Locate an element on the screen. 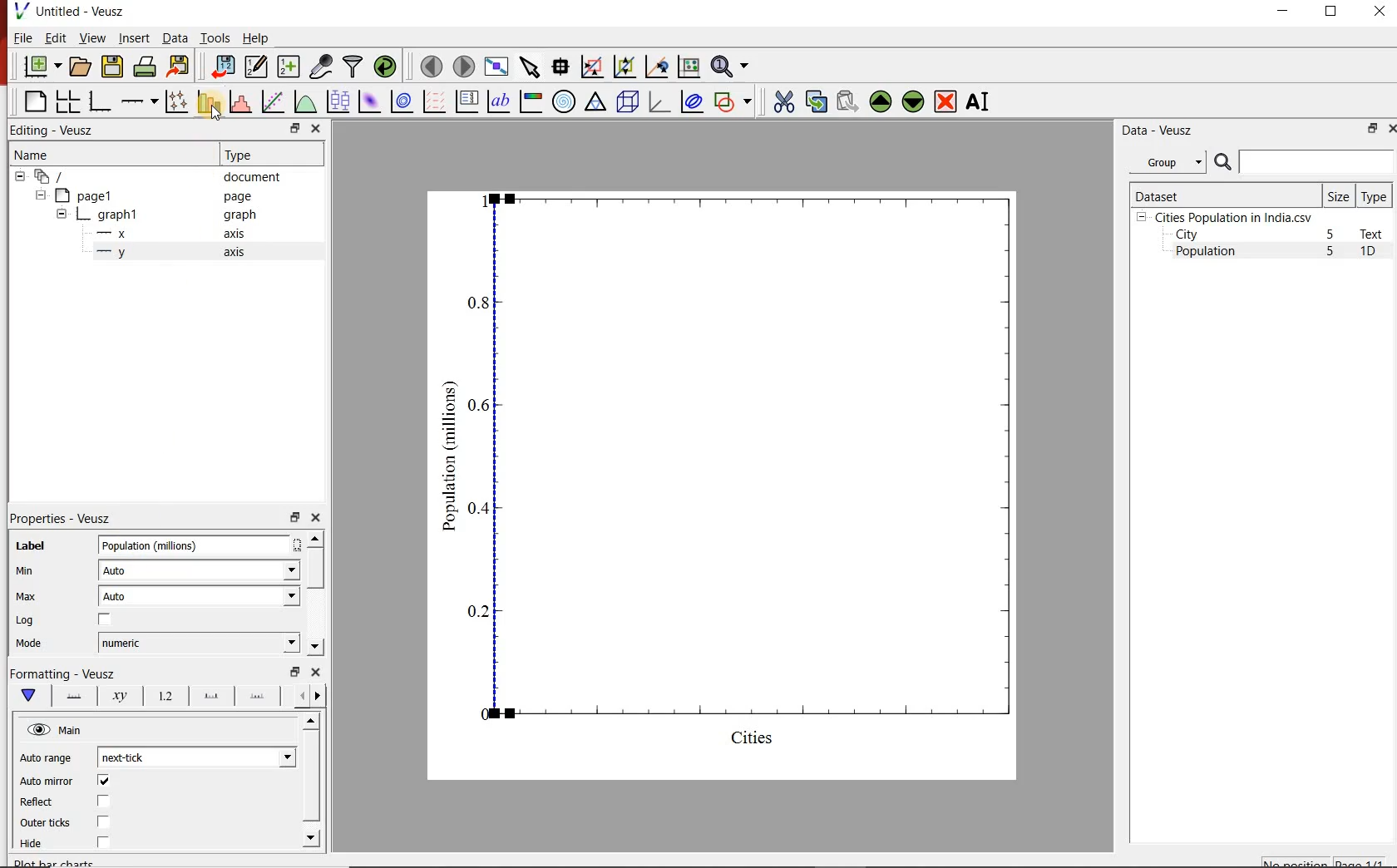  move the selected widget up is located at coordinates (881, 101).